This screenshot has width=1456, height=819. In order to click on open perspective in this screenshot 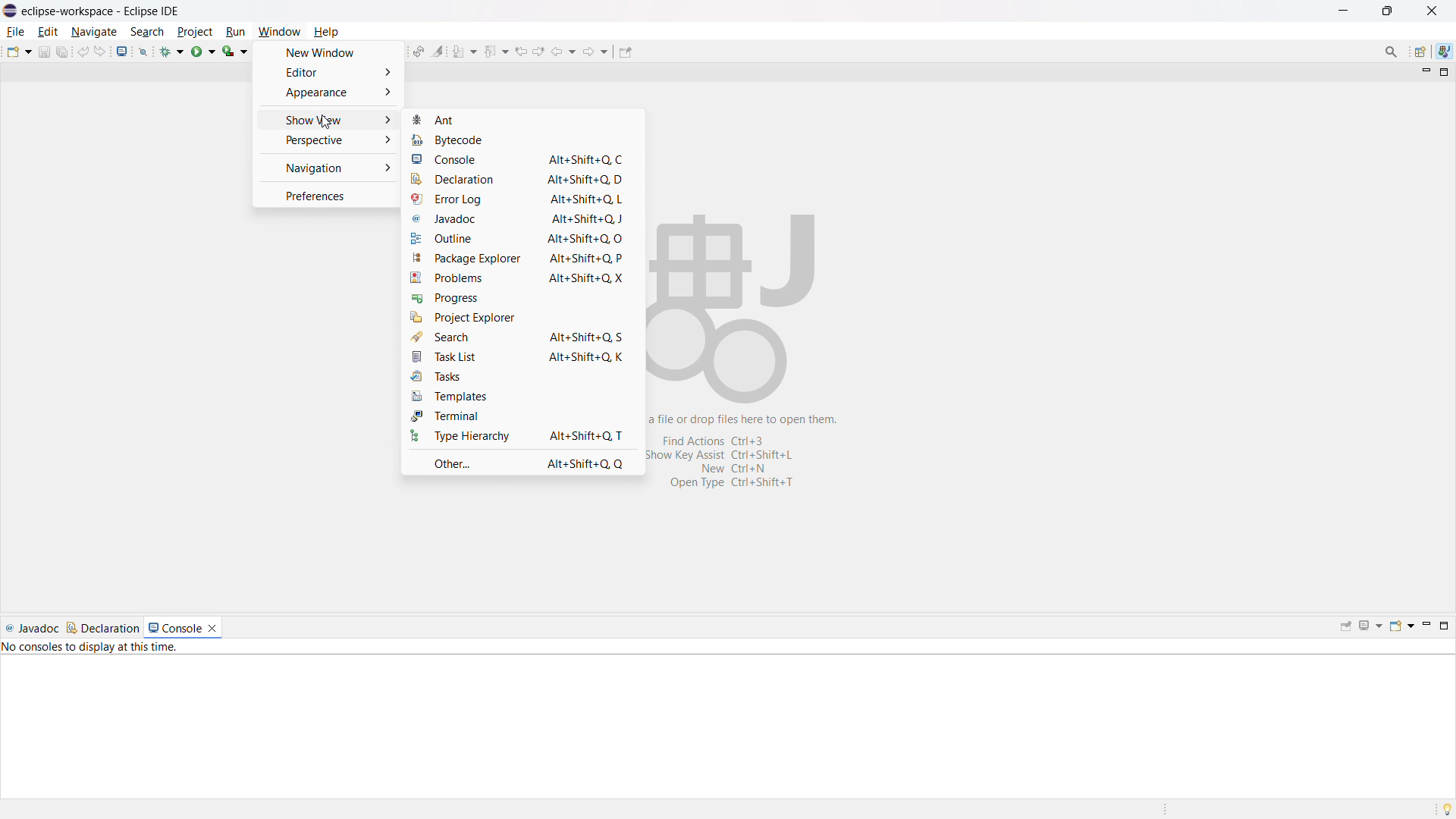, I will do `click(1421, 52)`.